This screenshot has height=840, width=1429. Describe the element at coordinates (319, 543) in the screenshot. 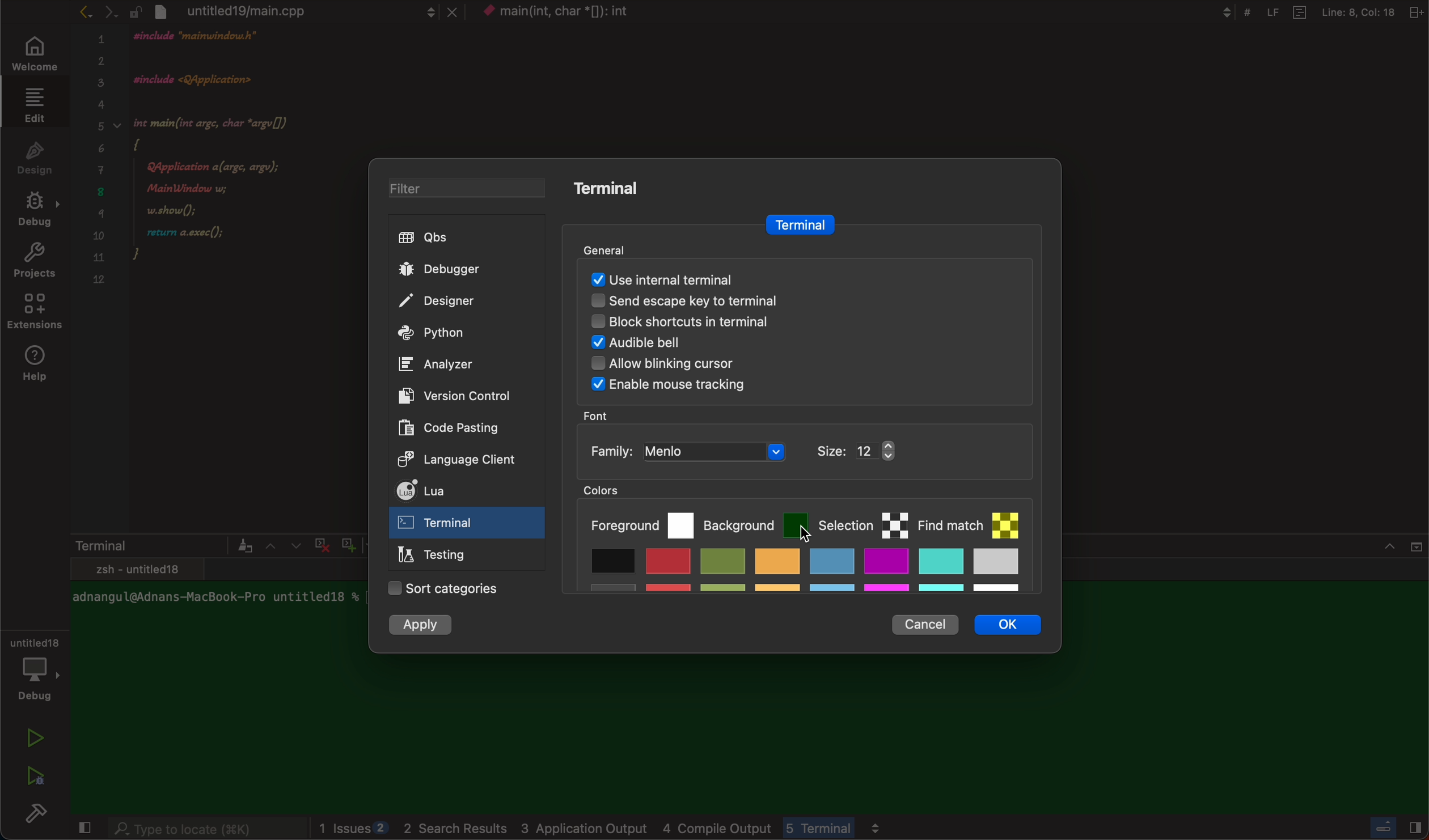

I see `cross` at that location.